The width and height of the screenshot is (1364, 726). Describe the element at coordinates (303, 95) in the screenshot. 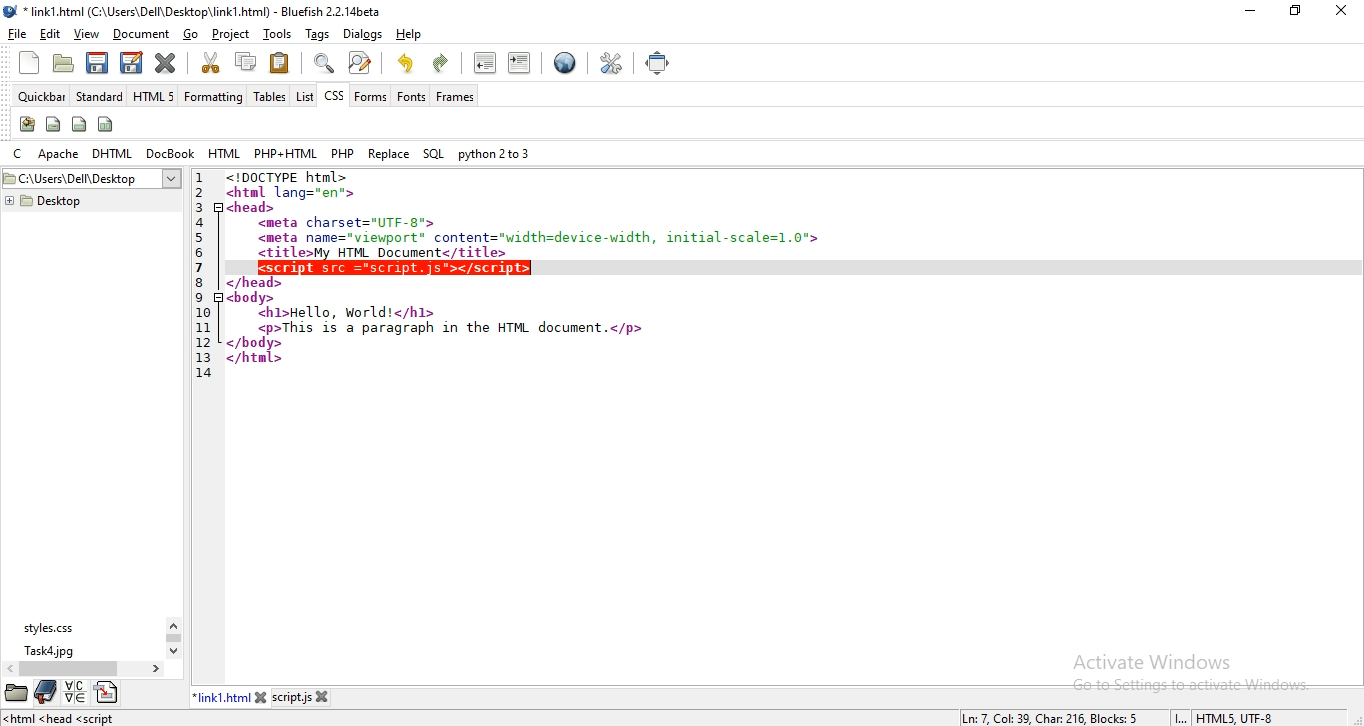

I see `list` at that location.